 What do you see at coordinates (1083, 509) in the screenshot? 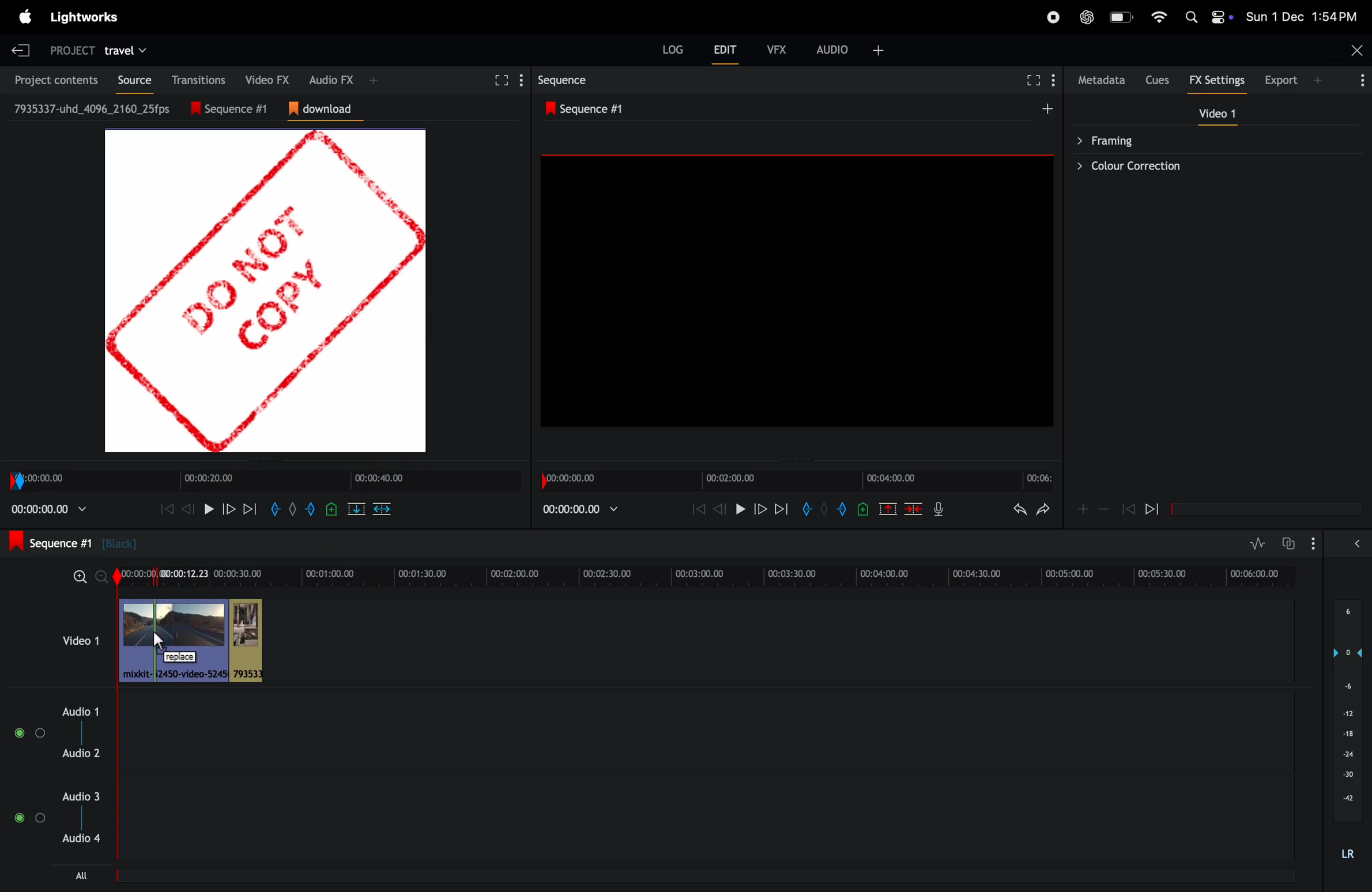
I see `Add` at bounding box center [1083, 509].